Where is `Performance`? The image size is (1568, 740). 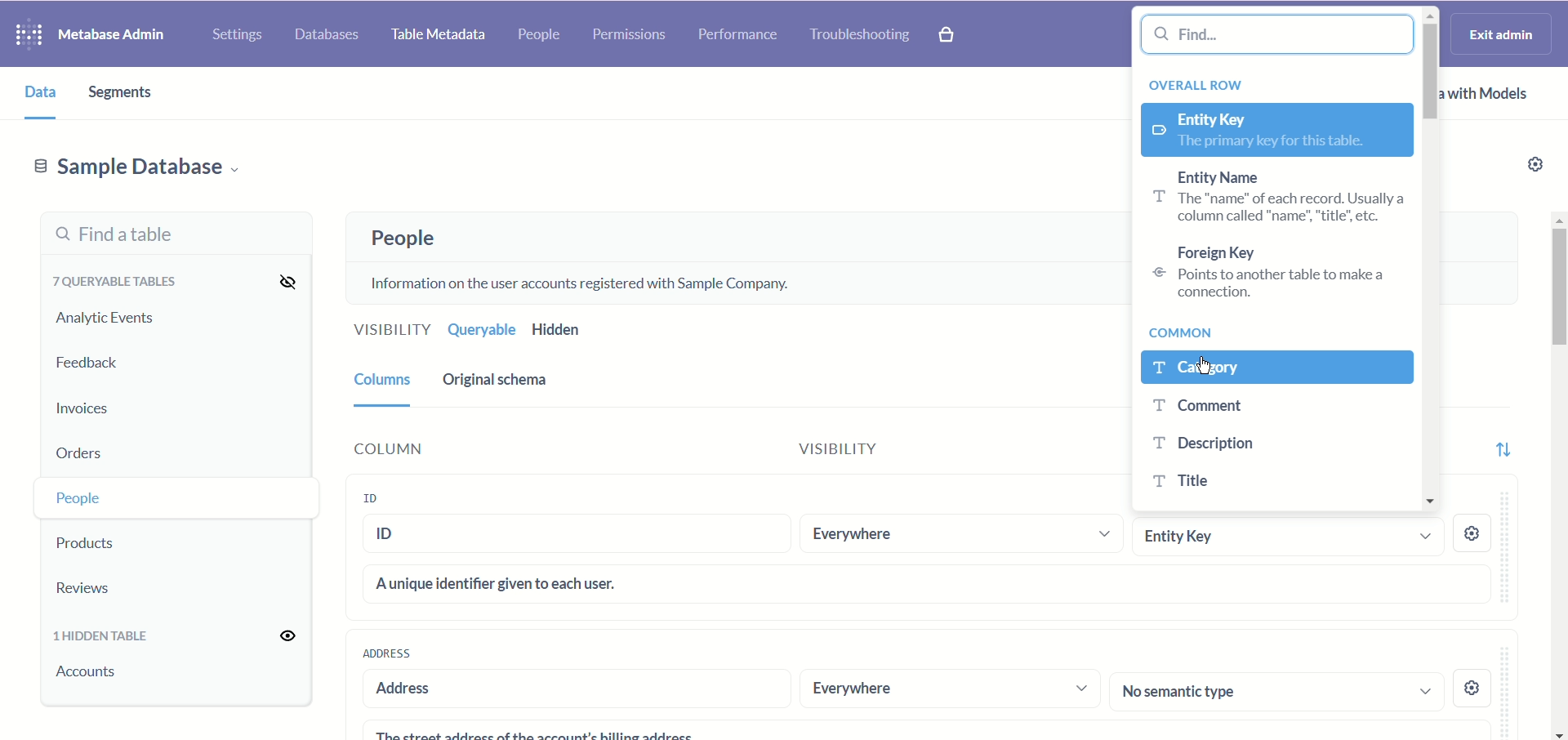 Performance is located at coordinates (736, 35).